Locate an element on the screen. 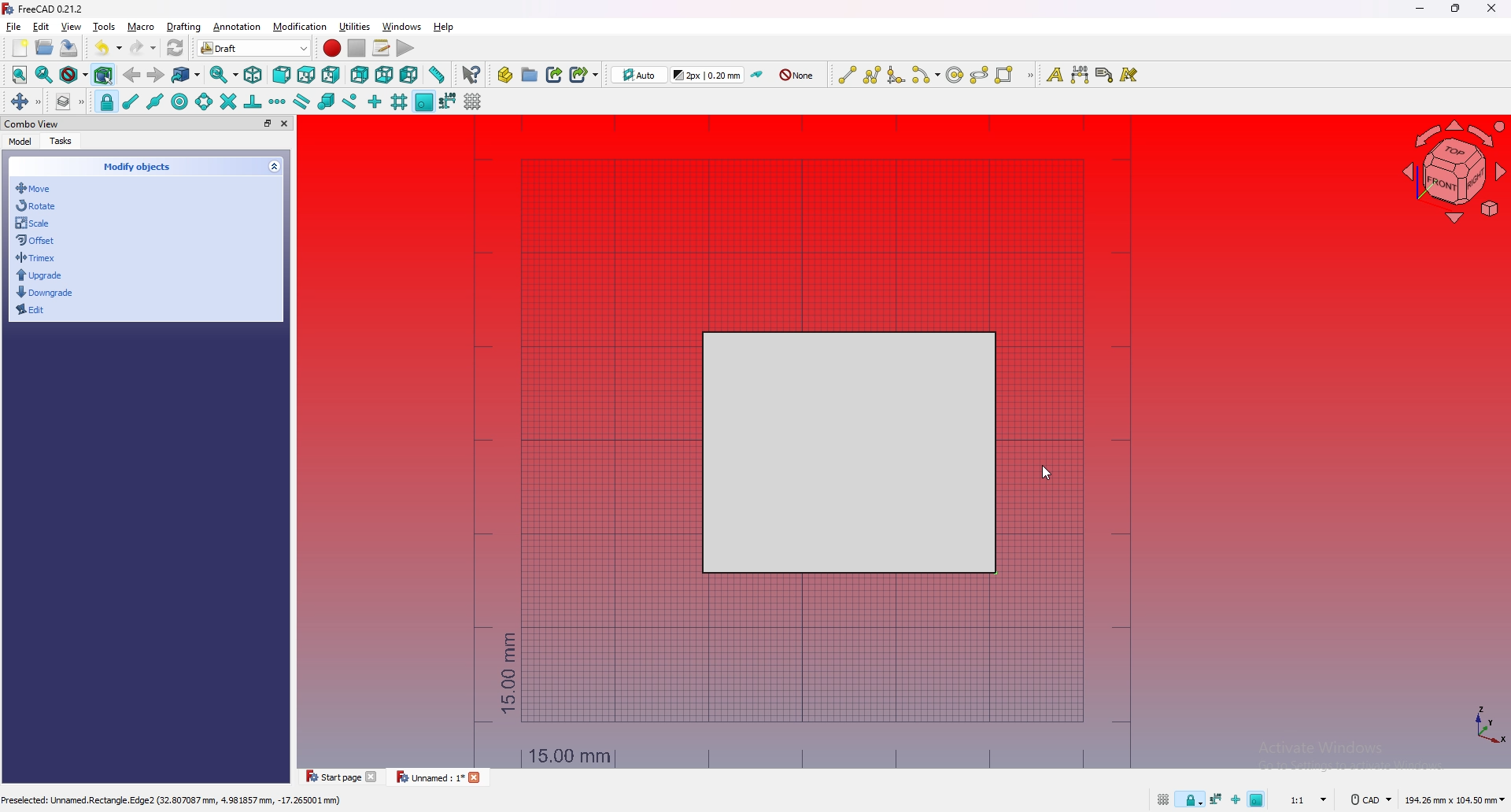 This screenshot has height=812, width=1511. snap ortho is located at coordinates (1235, 802).